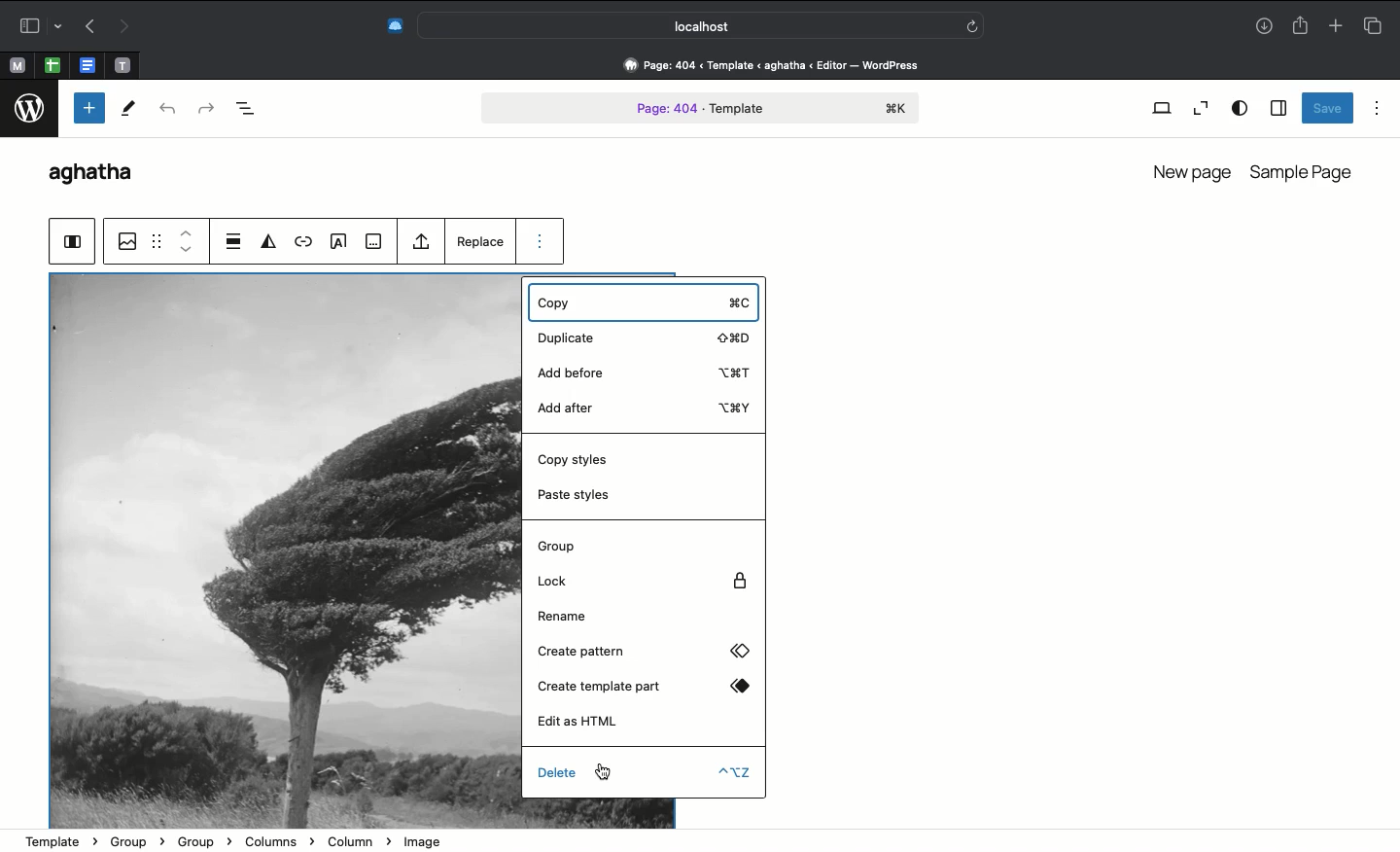  Describe the element at coordinates (1304, 172) in the screenshot. I see `Sample page` at that location.